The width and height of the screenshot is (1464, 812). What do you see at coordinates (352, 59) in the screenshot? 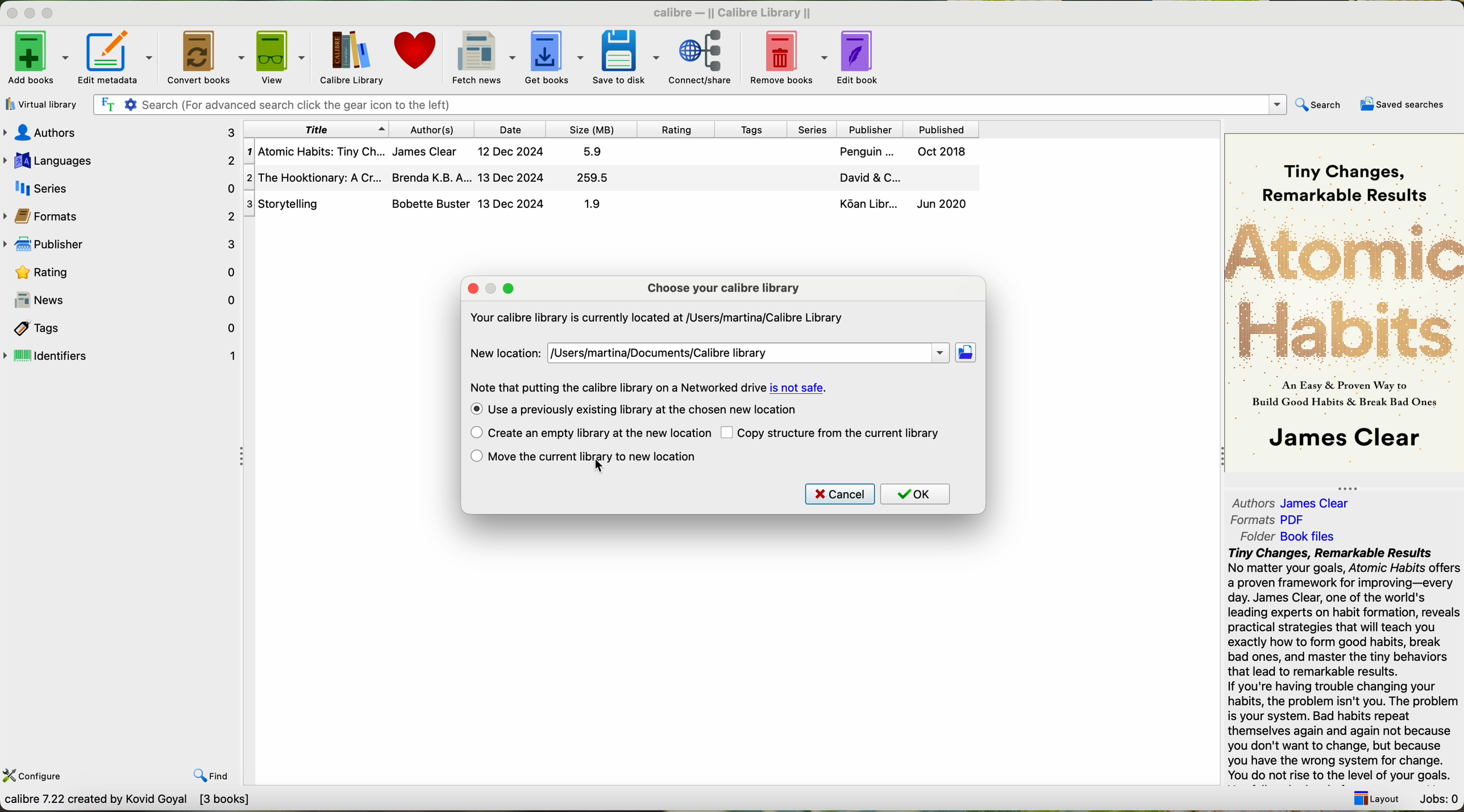
I see `Caliber Library` at bounding box center [352, 59].